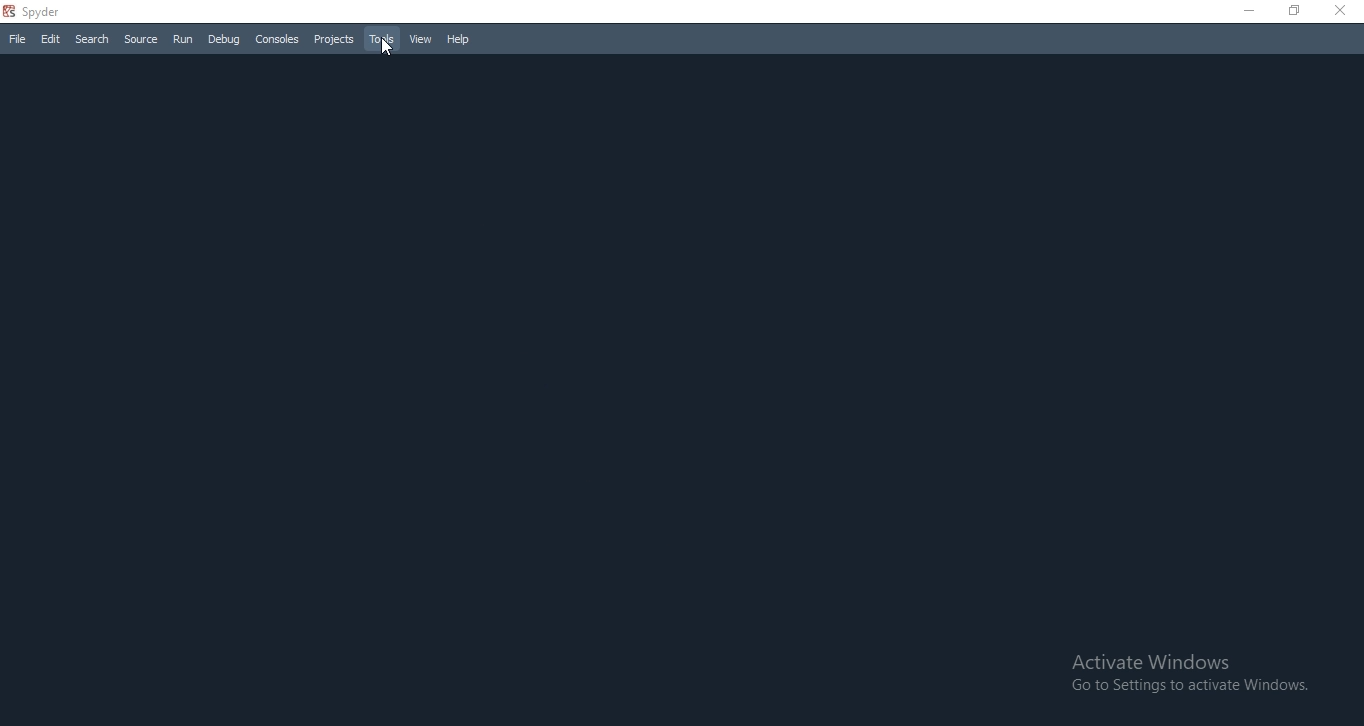  Describe the element at coordinates (225, 40) in the screenshot. I see `Debug` at that location.